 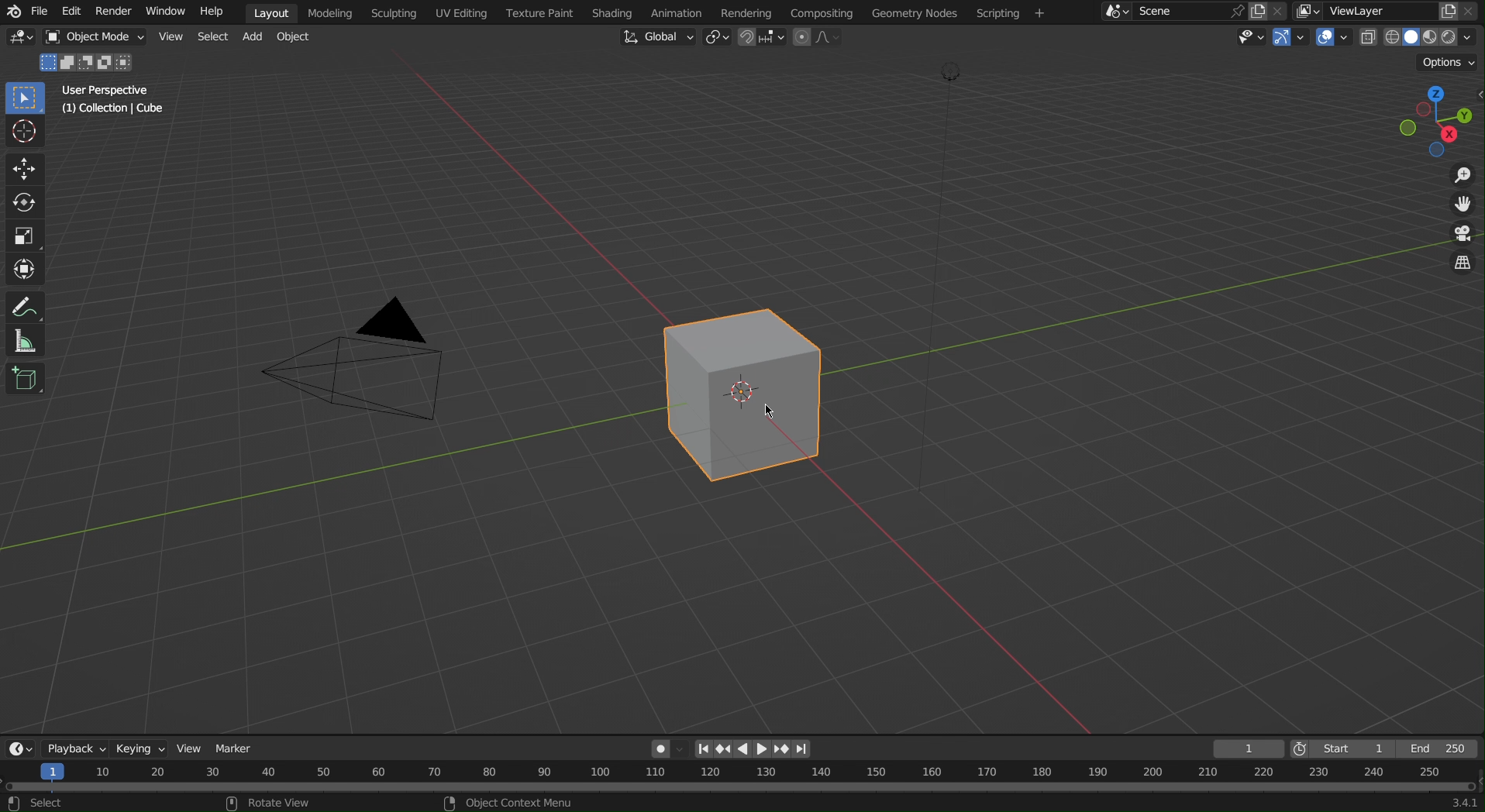 What do you see at coordinates (212, 36) in the screenshot?
I see `Select` at bounding box center [212, 36].